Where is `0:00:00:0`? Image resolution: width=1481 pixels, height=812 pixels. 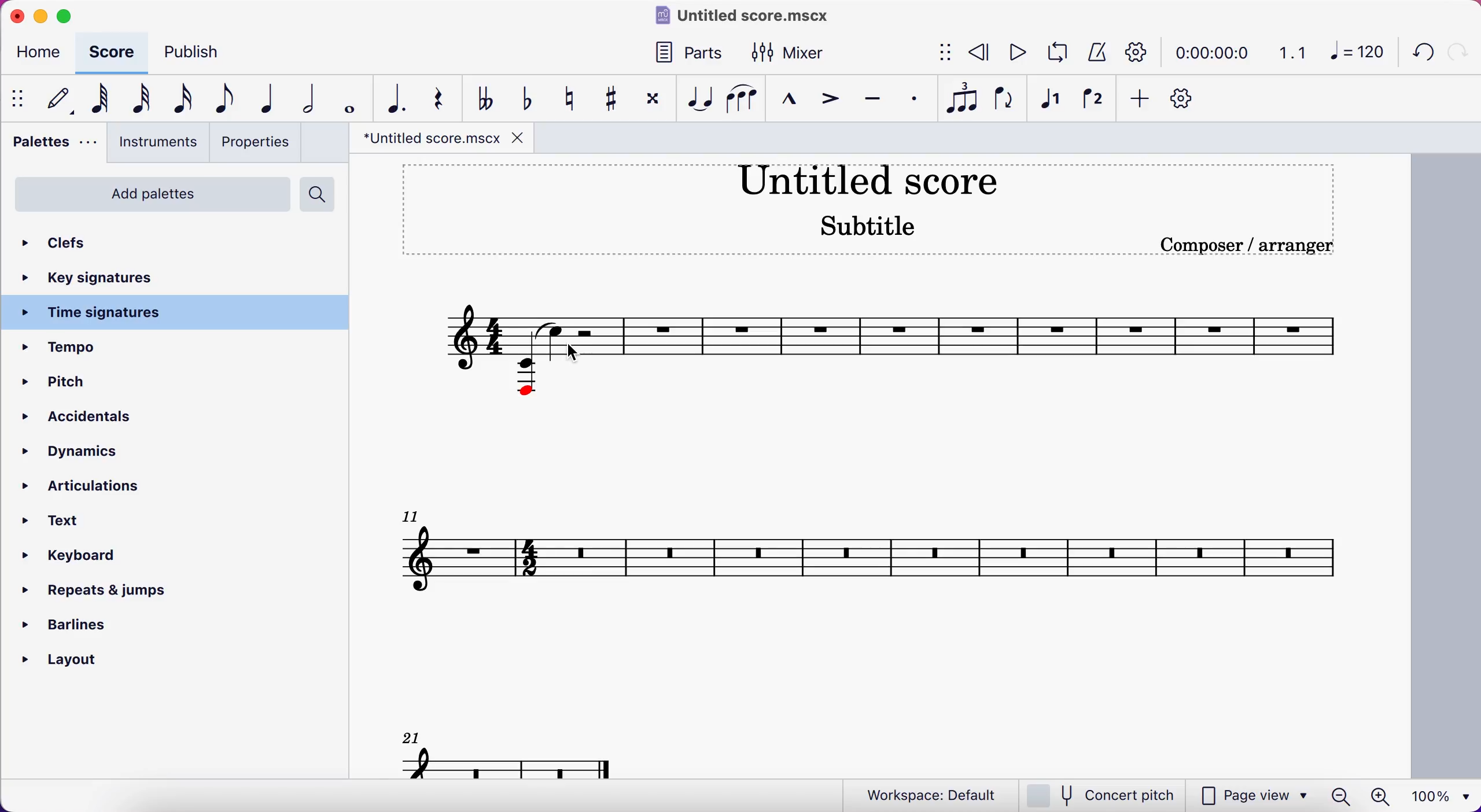
0:00:00:0 is located at coordinates (1211, 51).